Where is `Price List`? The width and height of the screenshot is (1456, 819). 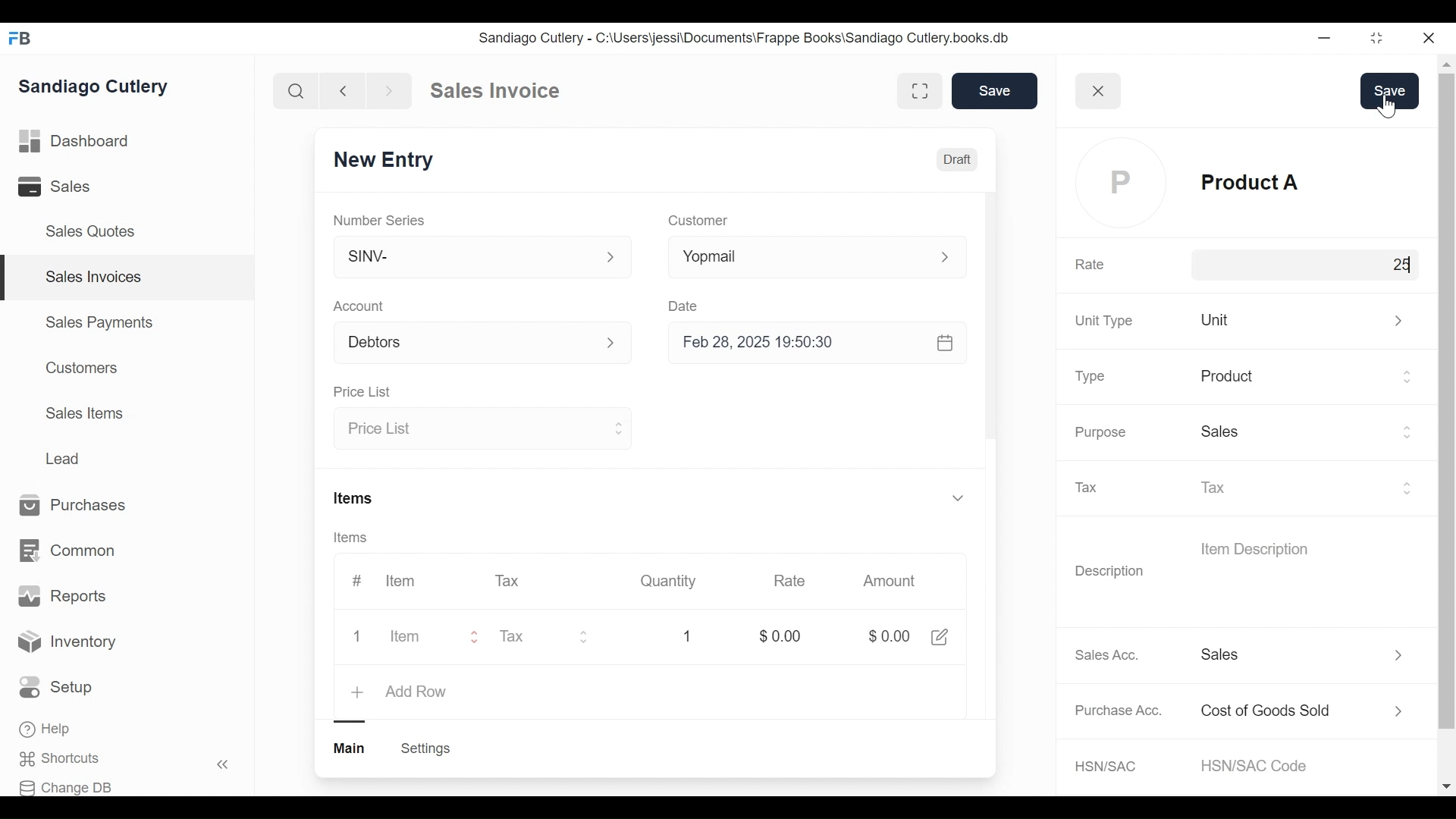
Price List is located at coordinates (362, 391).